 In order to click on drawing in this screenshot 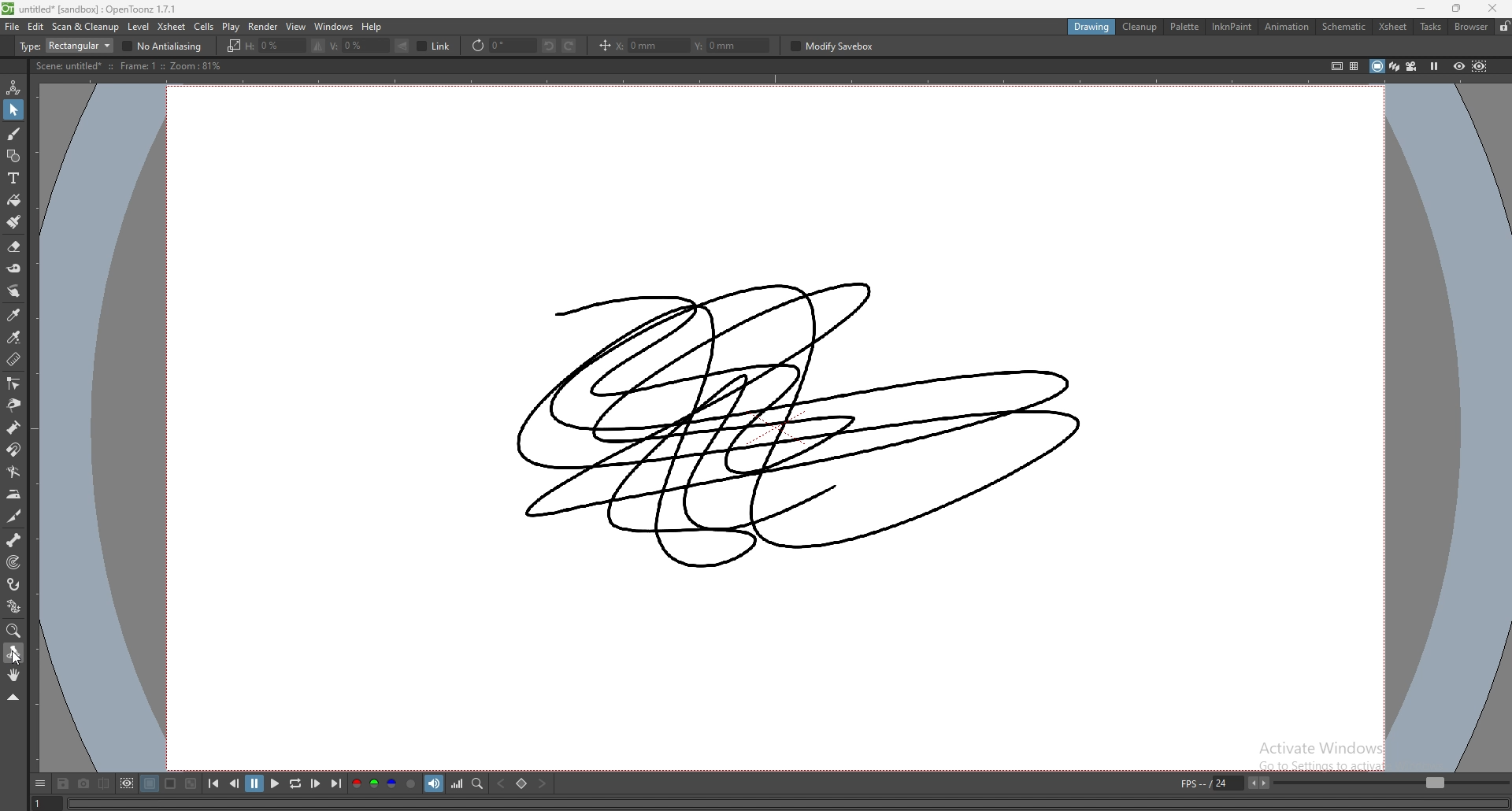, I will do `click(1091, 28)`.